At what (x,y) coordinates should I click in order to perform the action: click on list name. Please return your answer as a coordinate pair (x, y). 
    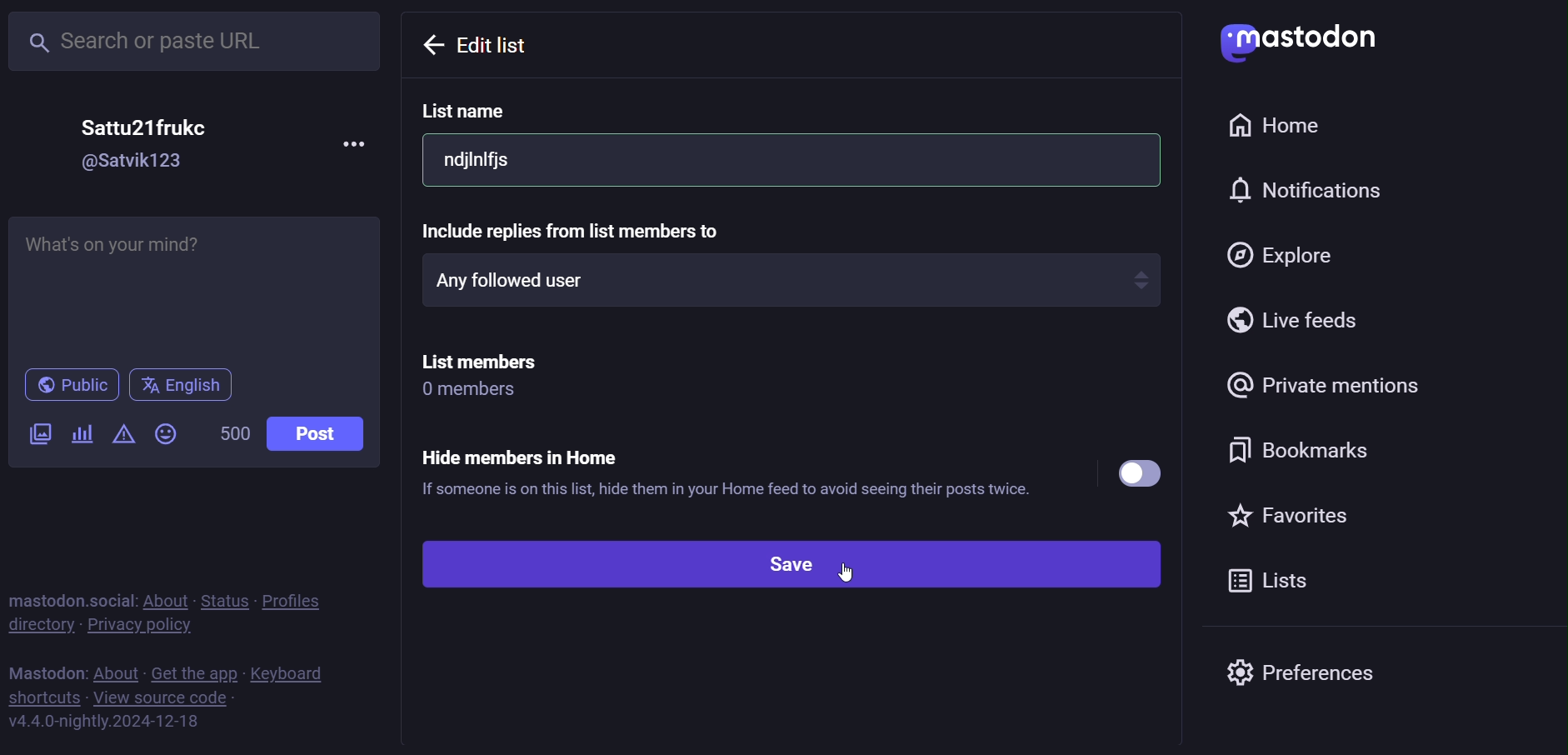
    Looking at the image, I should click on (469, 111).